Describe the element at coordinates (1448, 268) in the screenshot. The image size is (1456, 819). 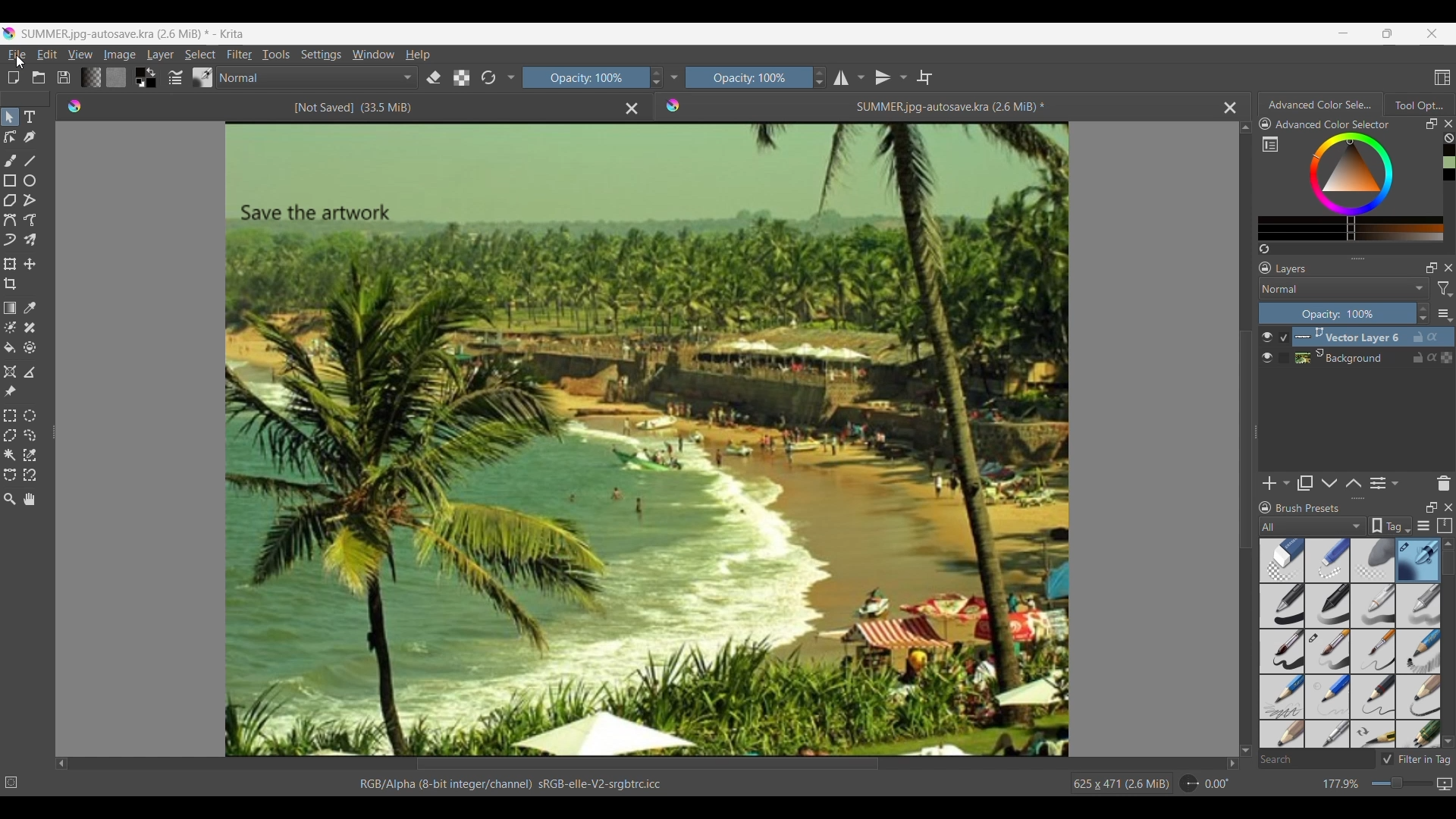
I see `Close Layers` at that location.